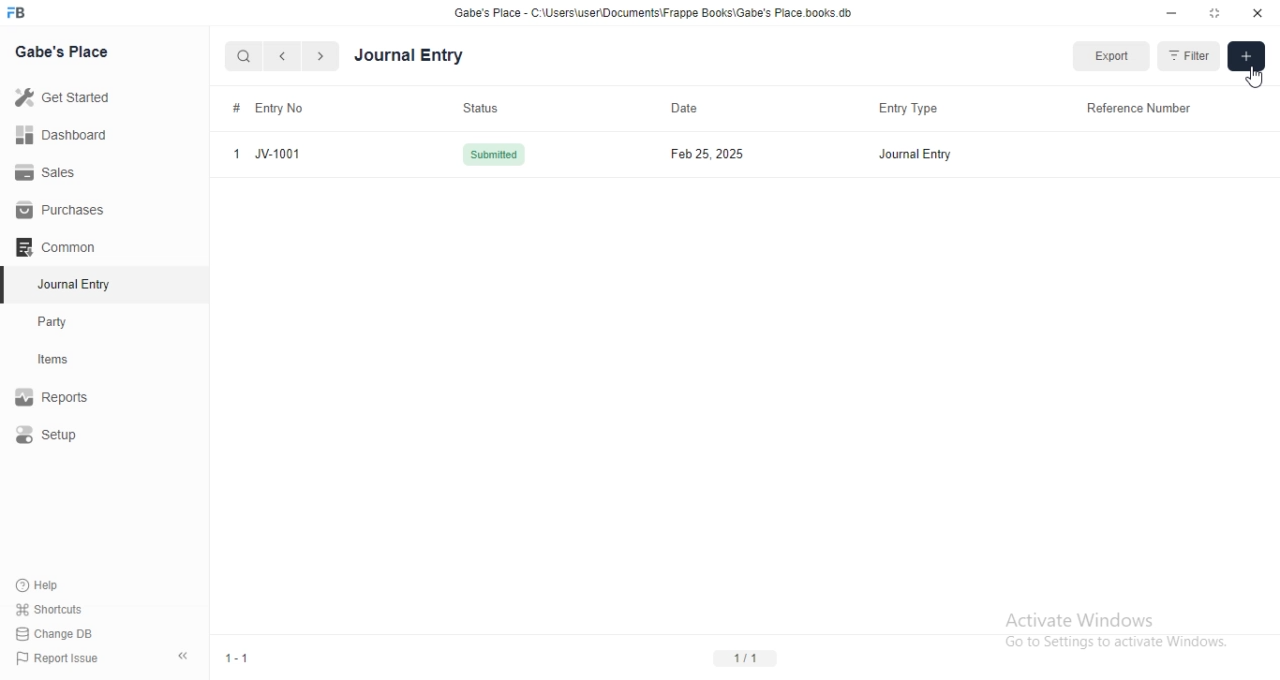 The width and height of the screenshot is (1280, 680). What do you see at coordinates (68, 101) in the screenshot?
I see `Get Started` at bounding box center [68, 101].